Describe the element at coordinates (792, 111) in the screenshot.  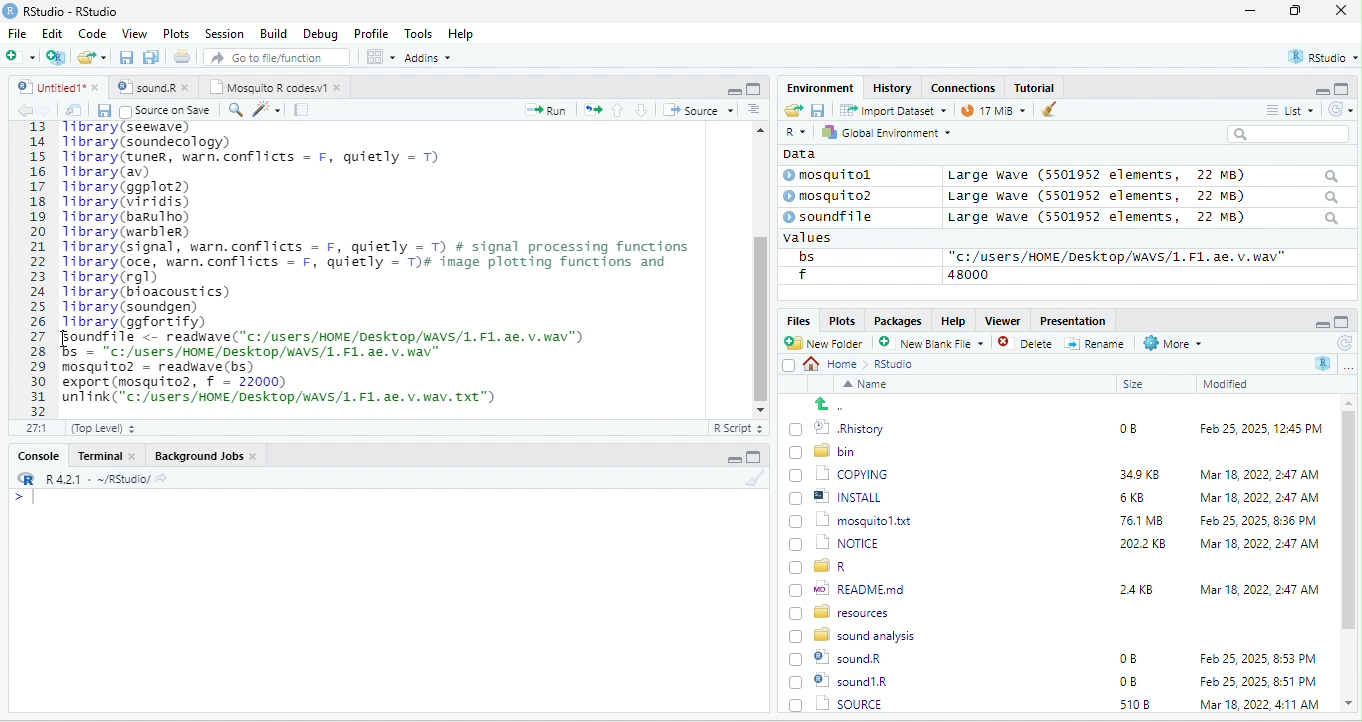
I see `open` at that location.